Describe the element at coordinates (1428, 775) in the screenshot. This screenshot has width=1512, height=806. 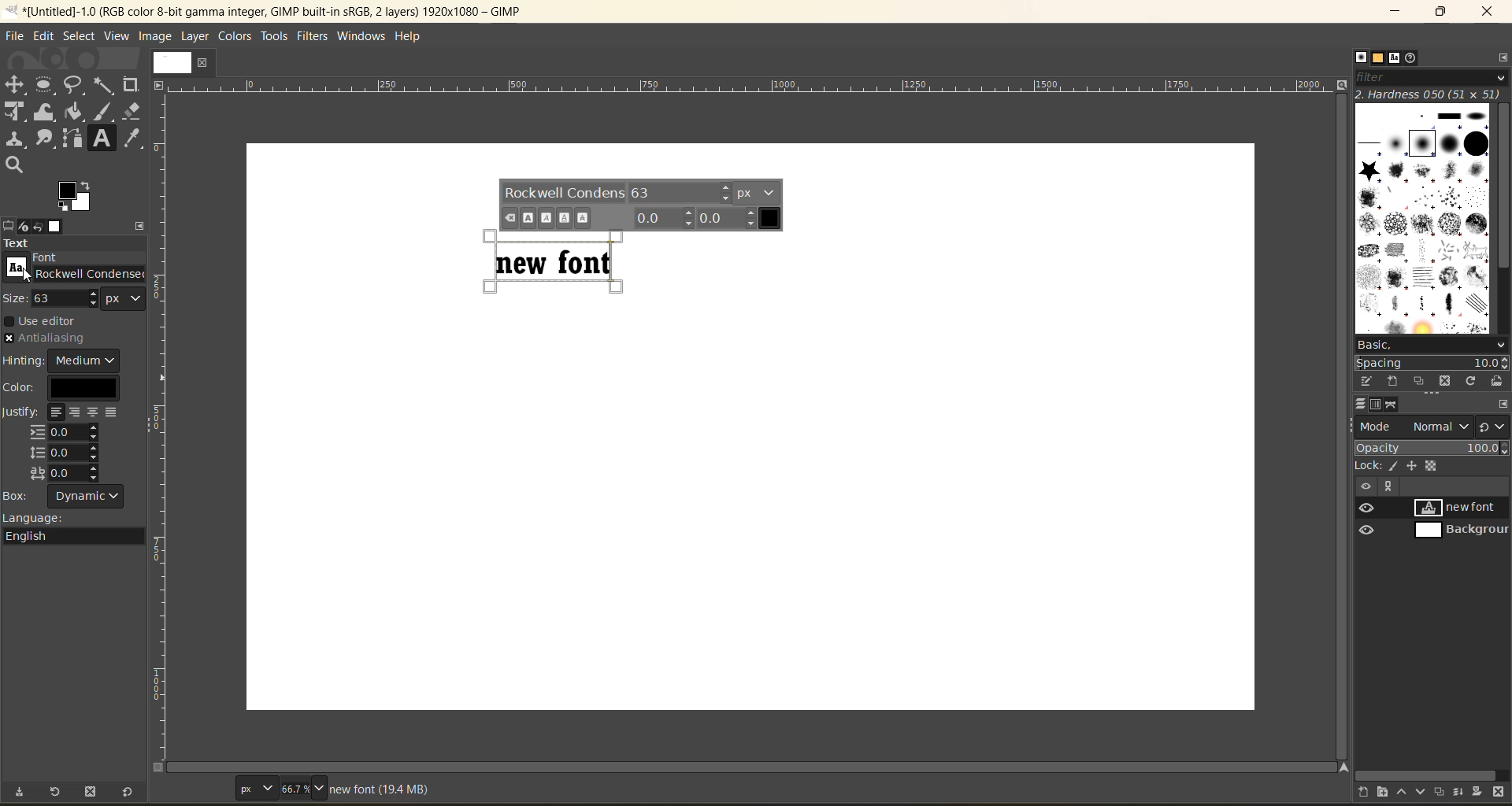
I see `horizontal scroll bar` at that location.